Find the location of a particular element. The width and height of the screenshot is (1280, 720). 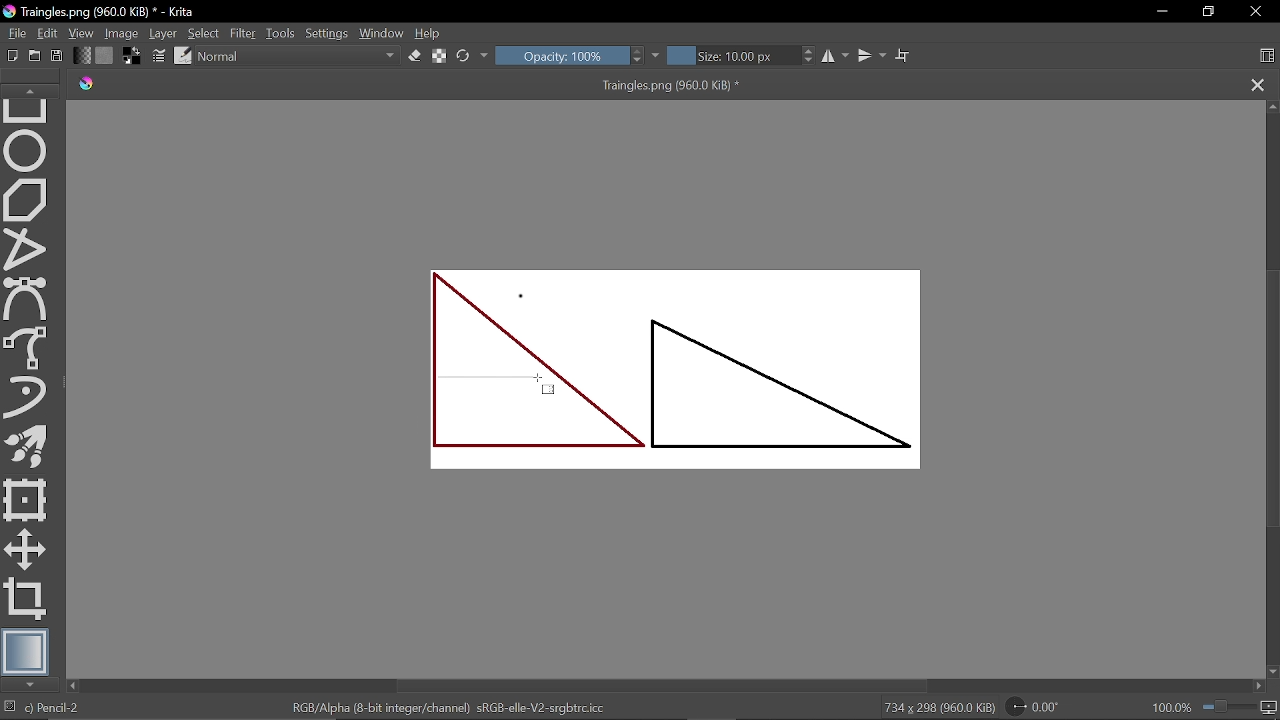

Horizontal mirror is located at coordinates (833, 58).